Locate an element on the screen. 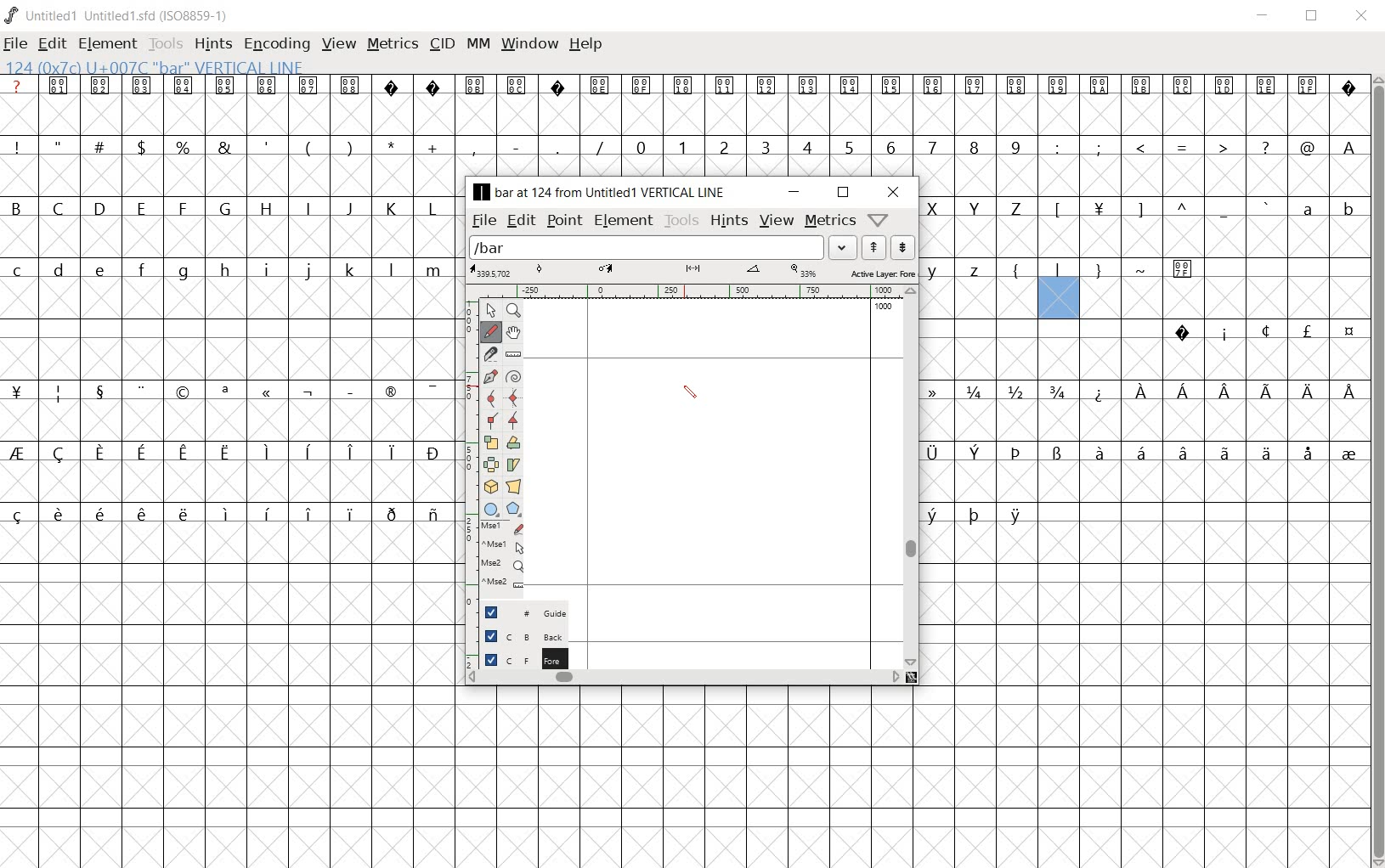  view is located at coordinates (777, 219).